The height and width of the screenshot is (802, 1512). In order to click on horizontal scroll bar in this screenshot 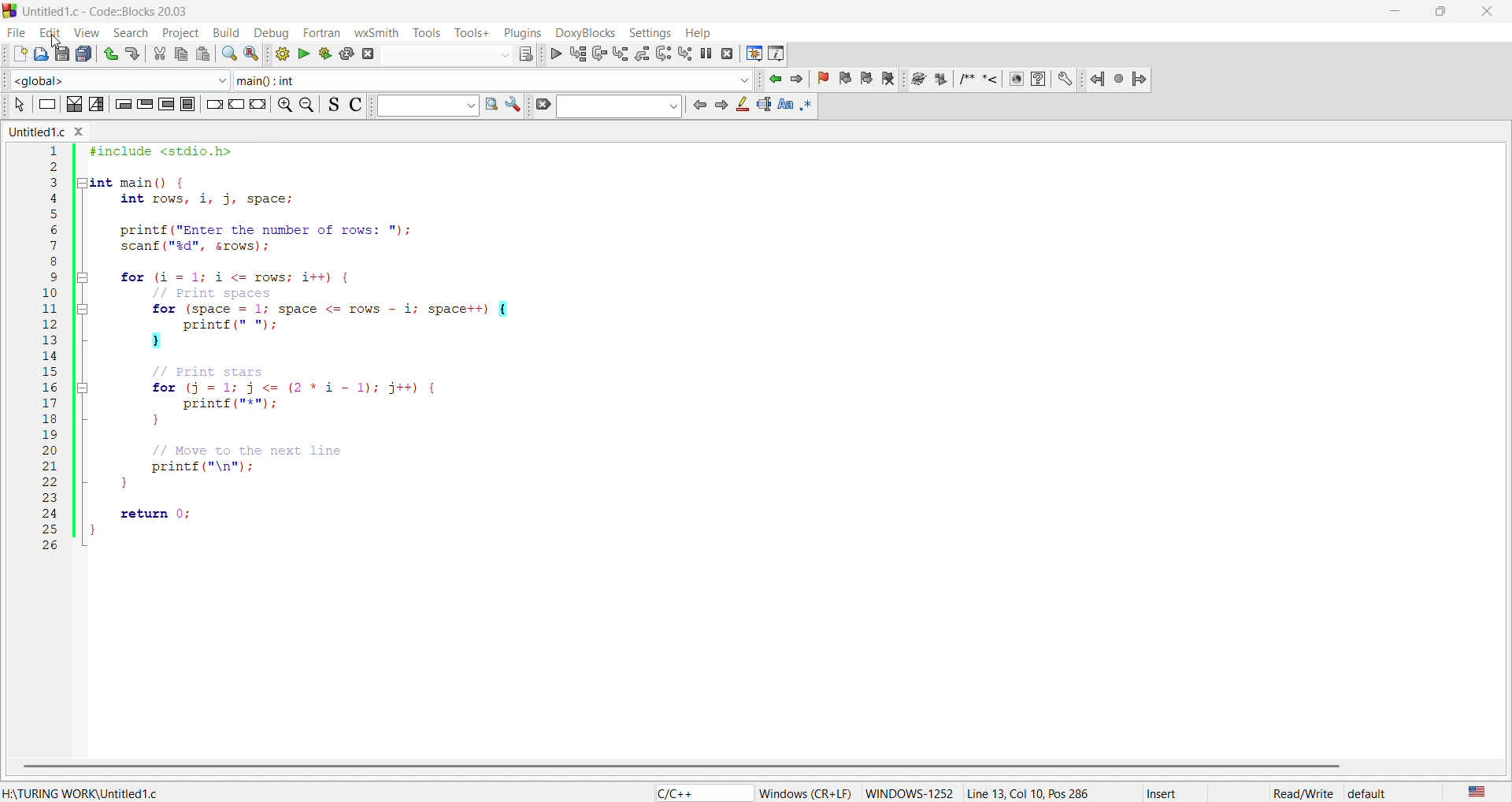, I will do `click(679, 765)`.